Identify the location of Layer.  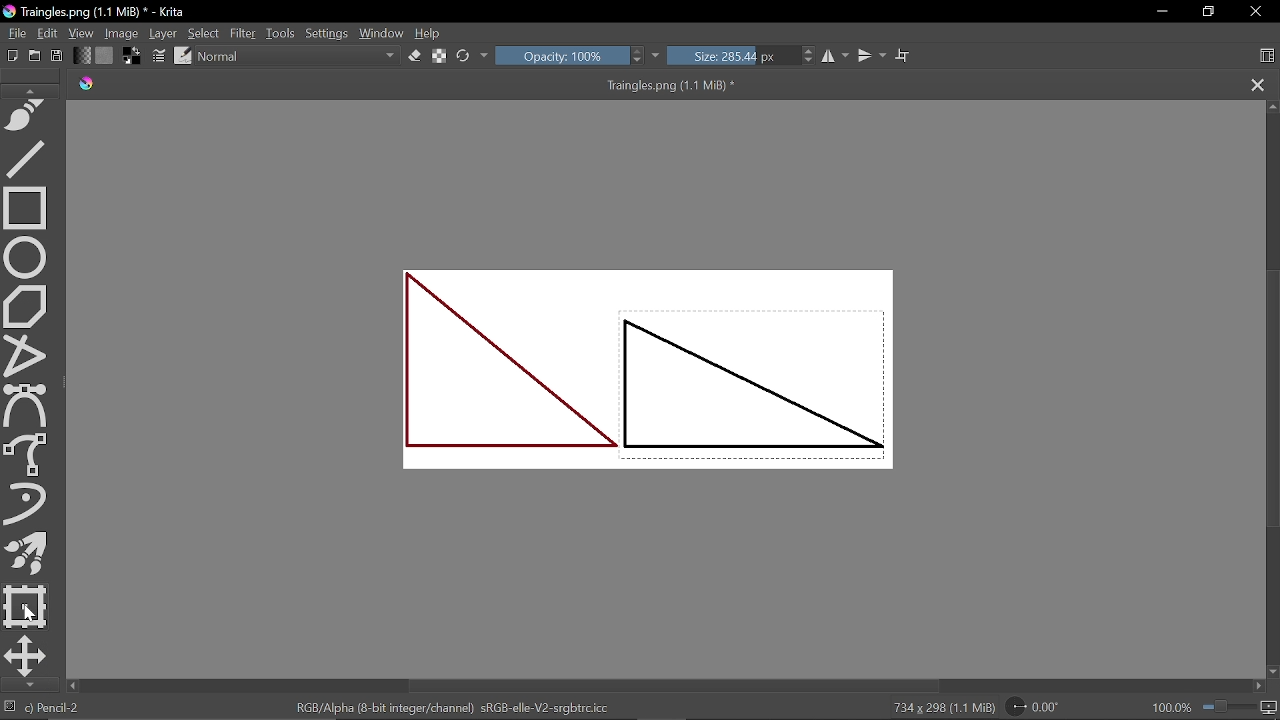
(164, 34).